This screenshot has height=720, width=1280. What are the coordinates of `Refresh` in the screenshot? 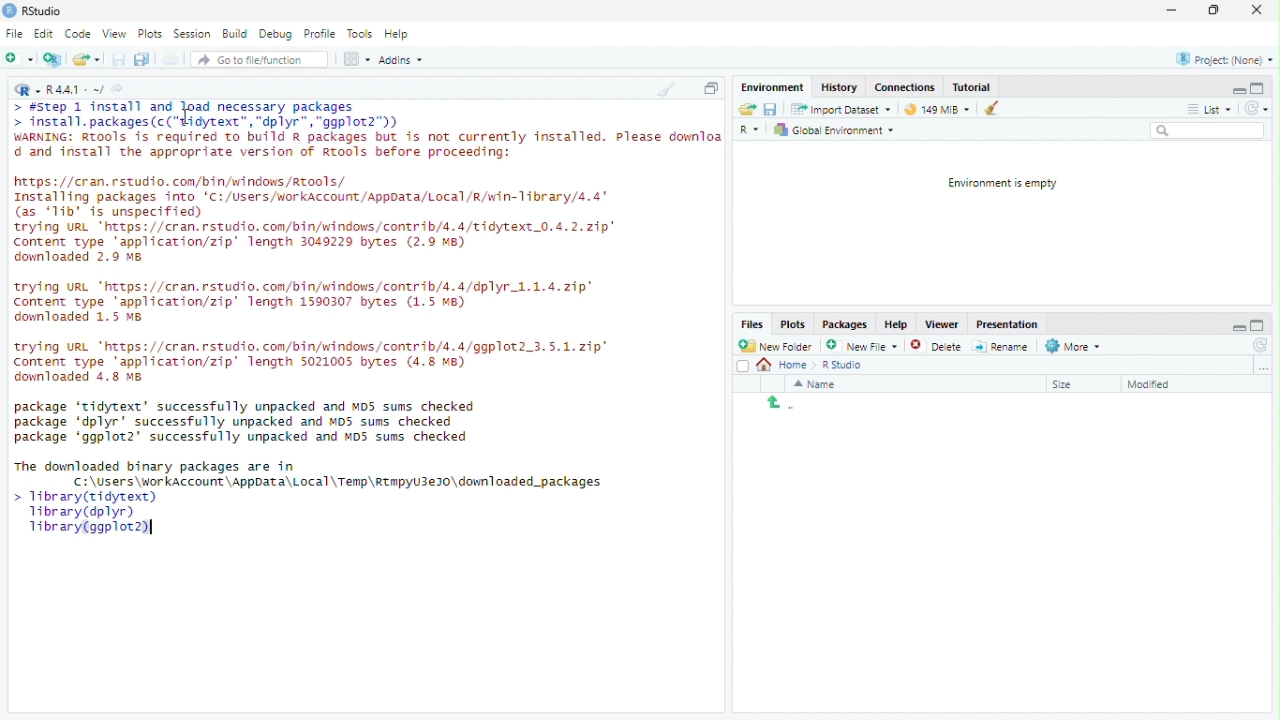 It's located at (1258, 345).